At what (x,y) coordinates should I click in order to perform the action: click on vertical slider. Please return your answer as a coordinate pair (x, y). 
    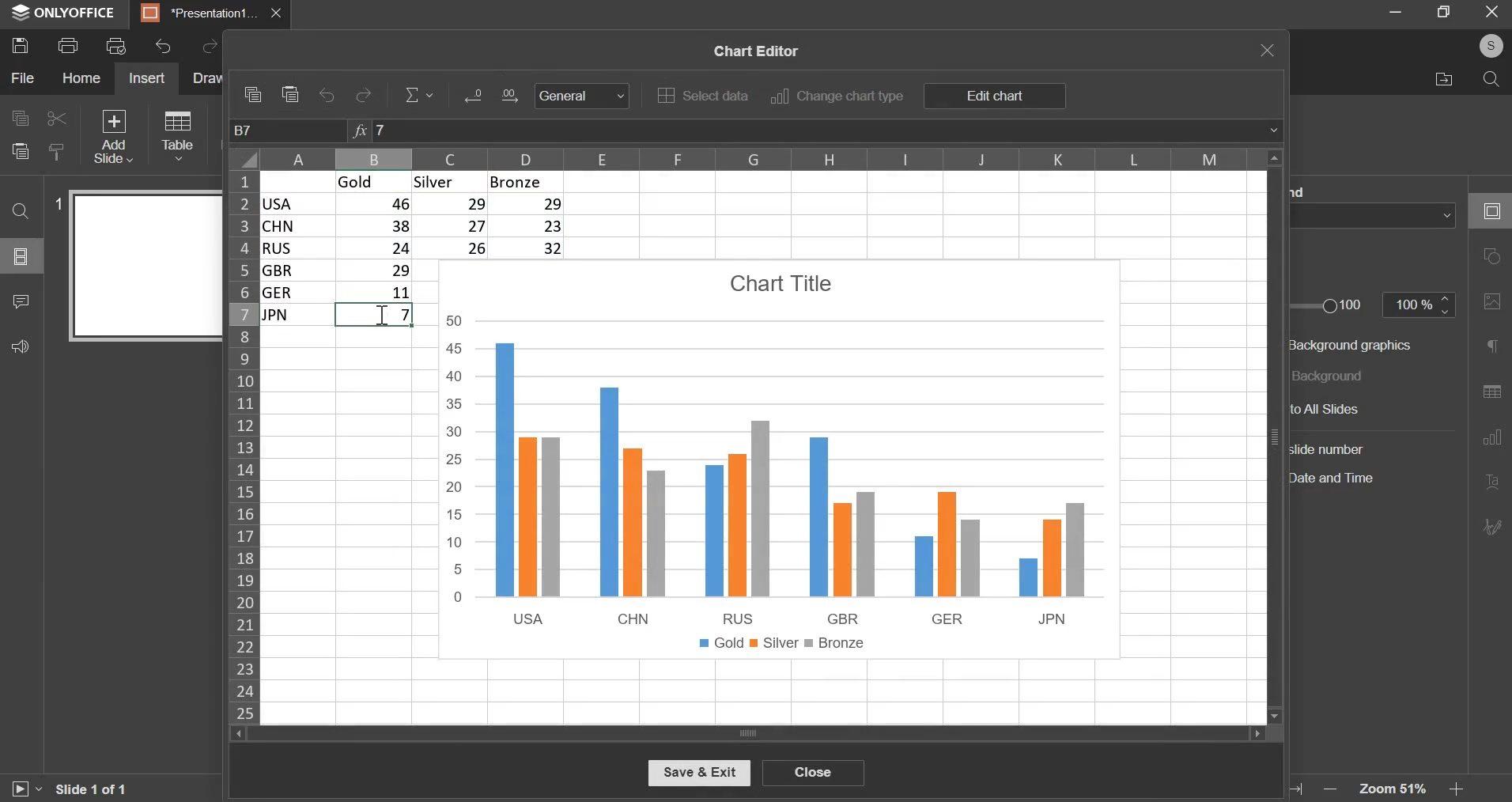
    Looking at the image, I should click on (1274, 435).